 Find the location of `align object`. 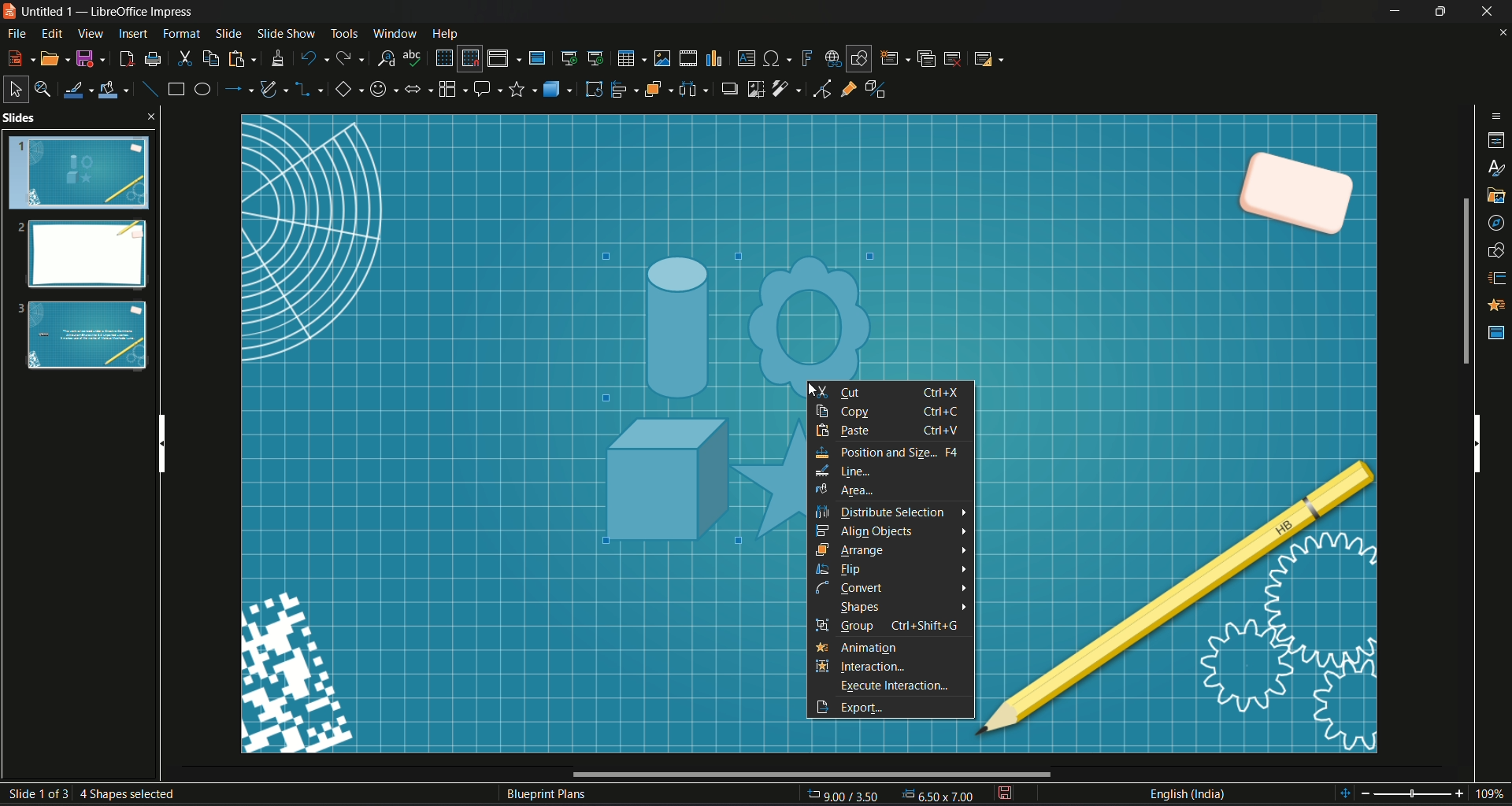

align object is located at coordinates (624, 89).